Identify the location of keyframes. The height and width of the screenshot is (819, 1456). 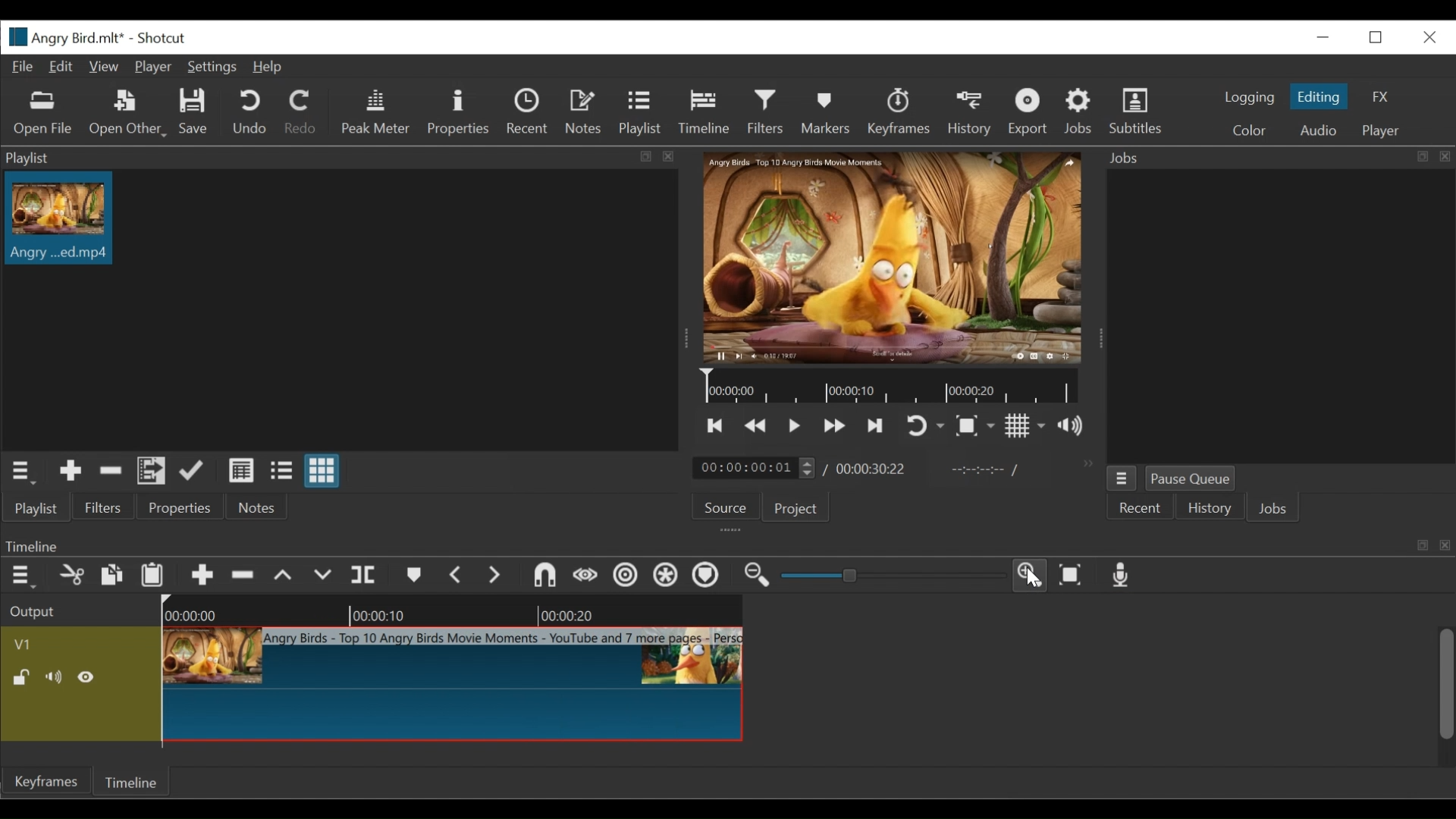
(898, 112).